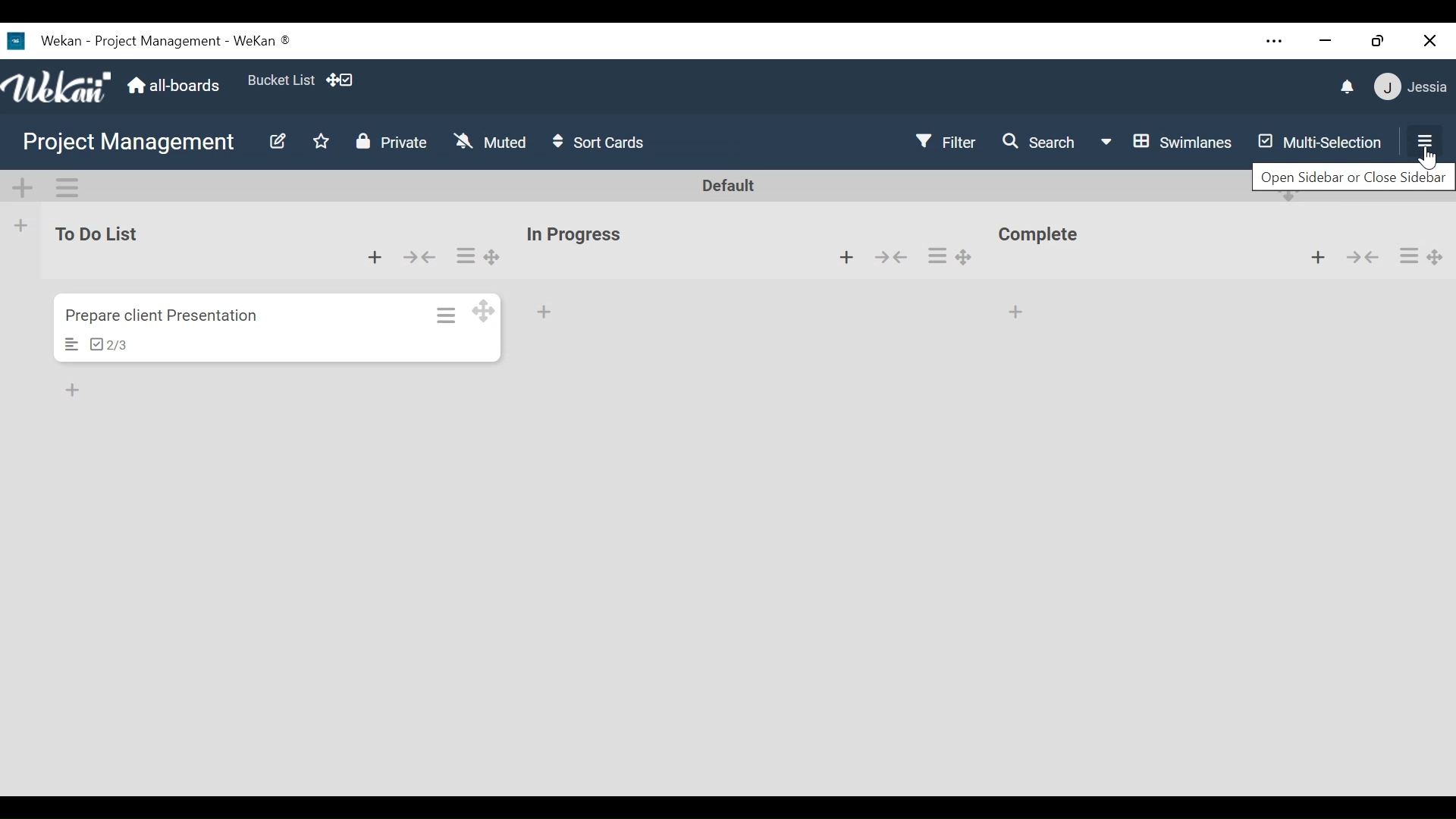  Describe the element at coordinates (545, 313) in the screenshot. I see `Add card to bottom of the list` at that location.